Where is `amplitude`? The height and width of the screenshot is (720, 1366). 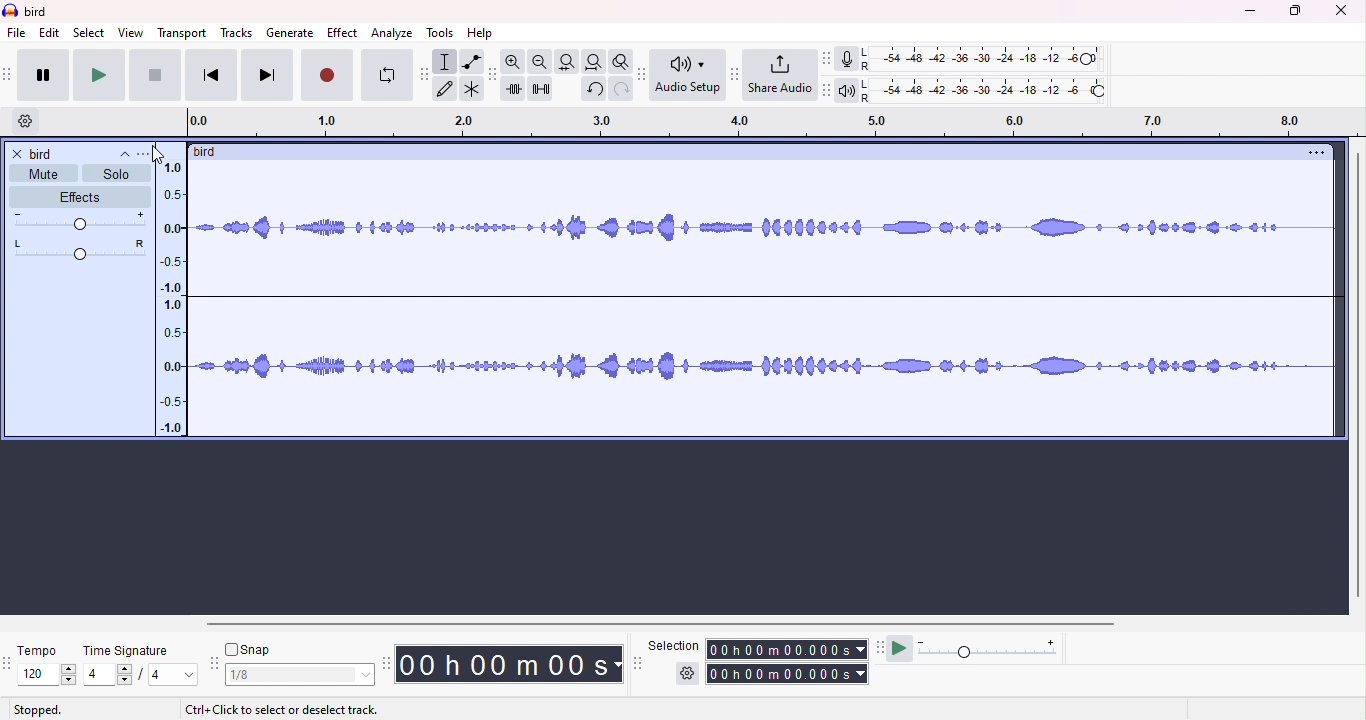 amplitude is located at coordinates (170, 297).